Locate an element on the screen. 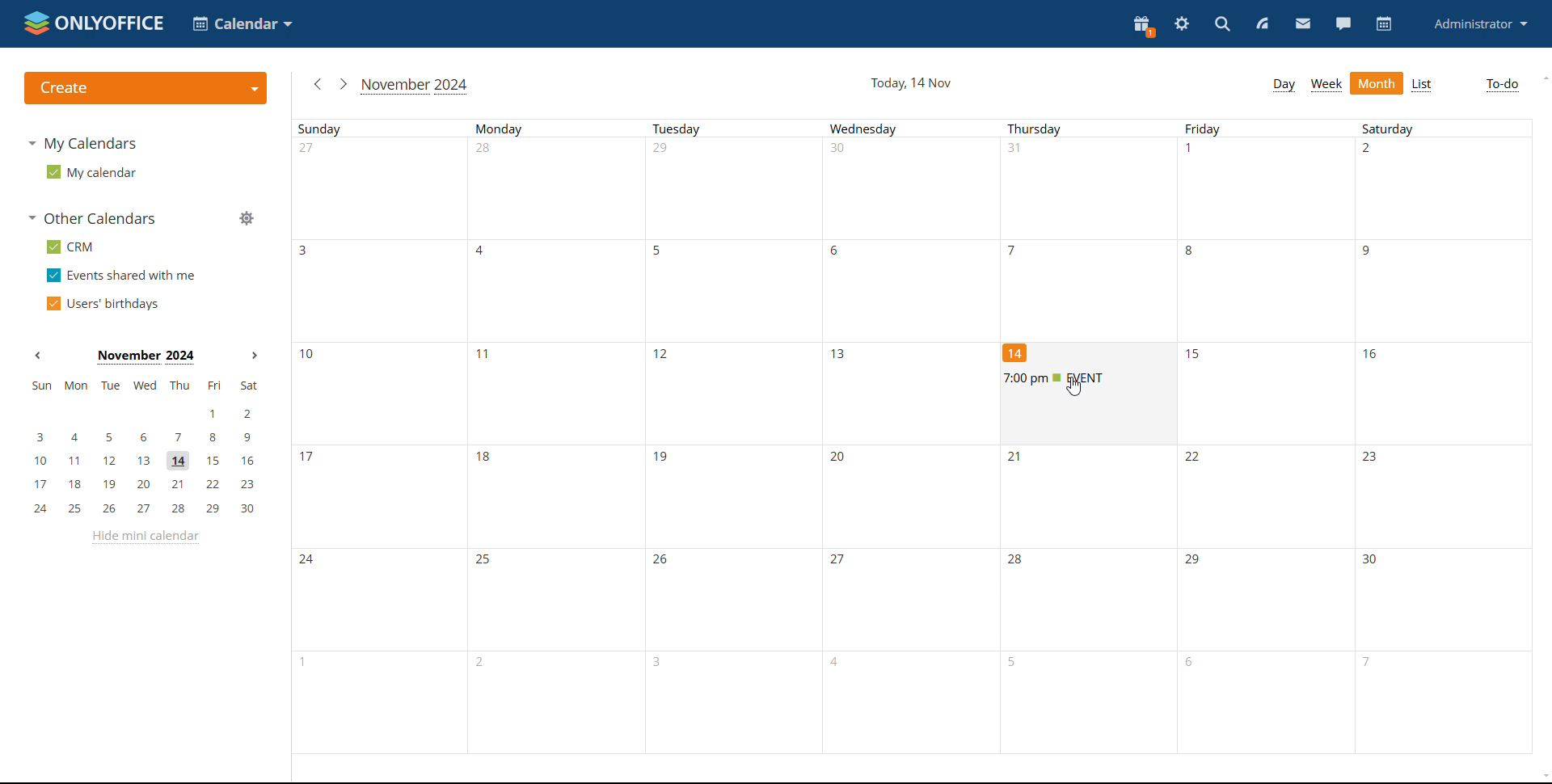 The height and width of the screenshot is (784, 1552). mail is located at coordinates (1301, 24).